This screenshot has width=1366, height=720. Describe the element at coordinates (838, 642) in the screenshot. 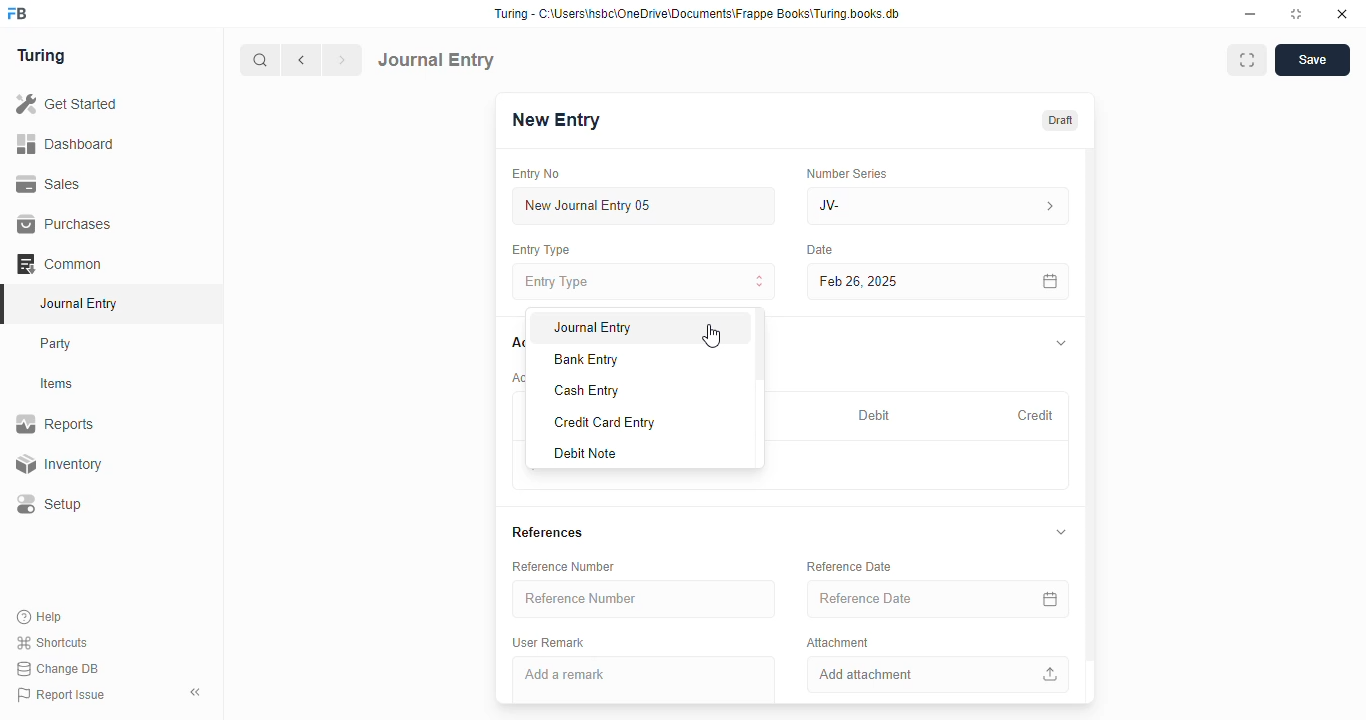

I see `attachment` at that location.